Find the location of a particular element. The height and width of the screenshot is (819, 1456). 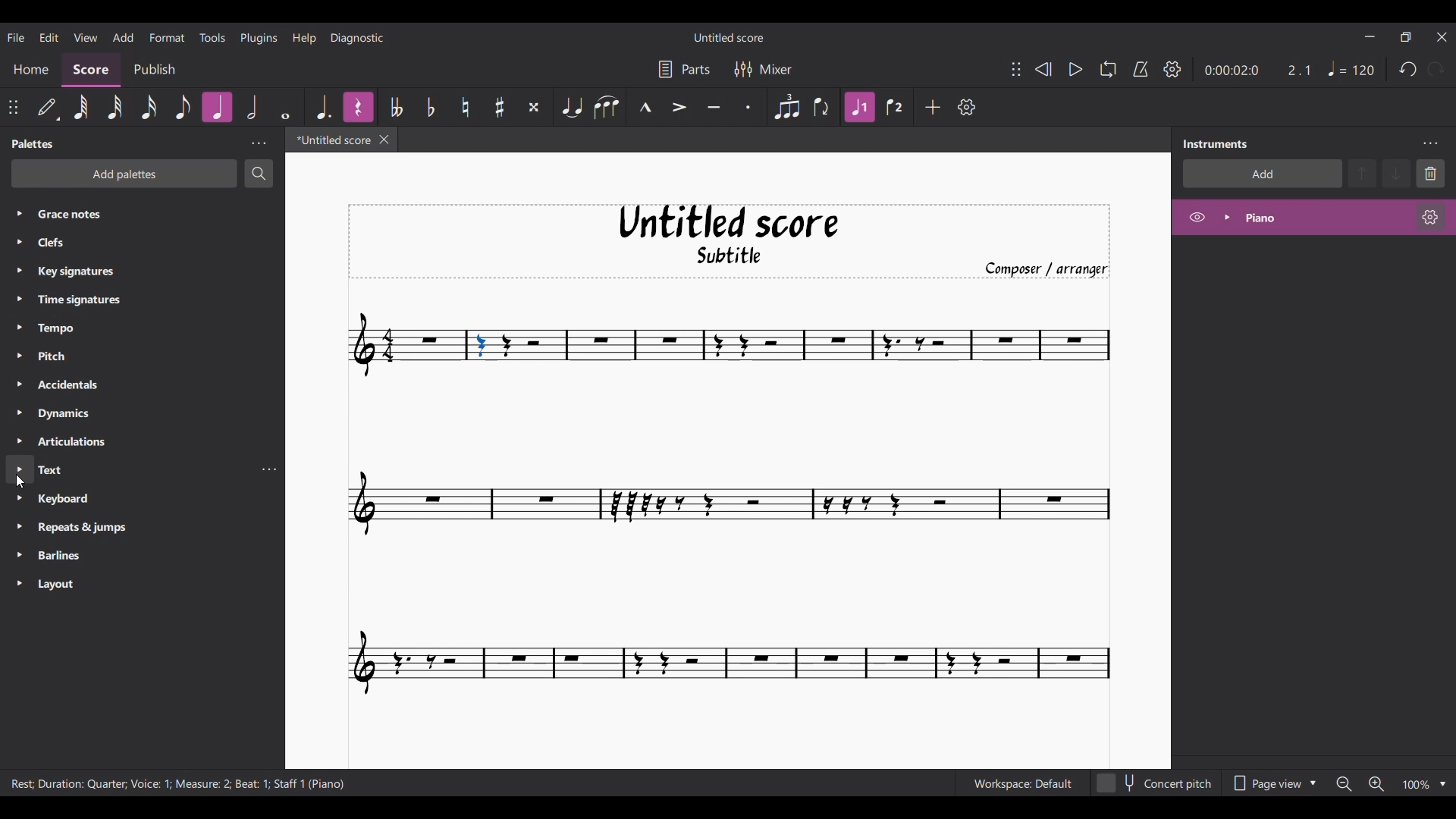

Flip direction is located at coordinates (821, 107).